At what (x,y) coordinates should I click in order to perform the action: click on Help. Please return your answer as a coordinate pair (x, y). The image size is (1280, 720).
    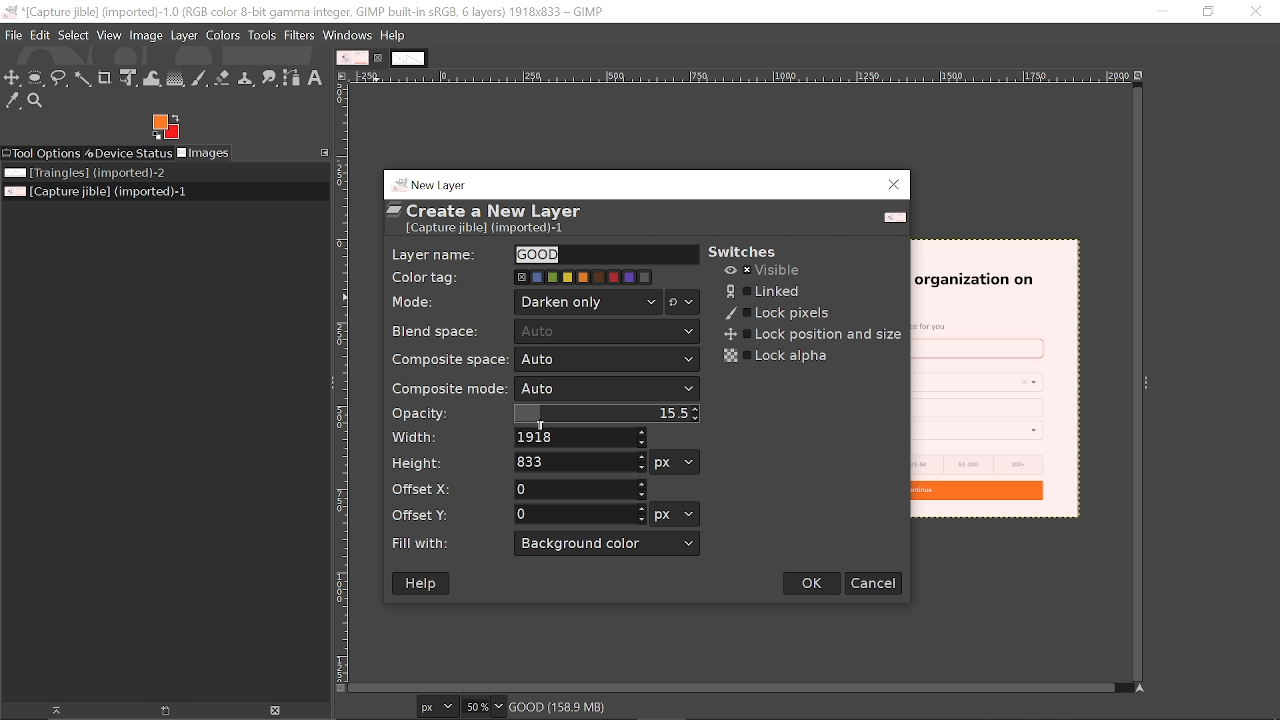
    Looking at the image, I should click on (423, 584).